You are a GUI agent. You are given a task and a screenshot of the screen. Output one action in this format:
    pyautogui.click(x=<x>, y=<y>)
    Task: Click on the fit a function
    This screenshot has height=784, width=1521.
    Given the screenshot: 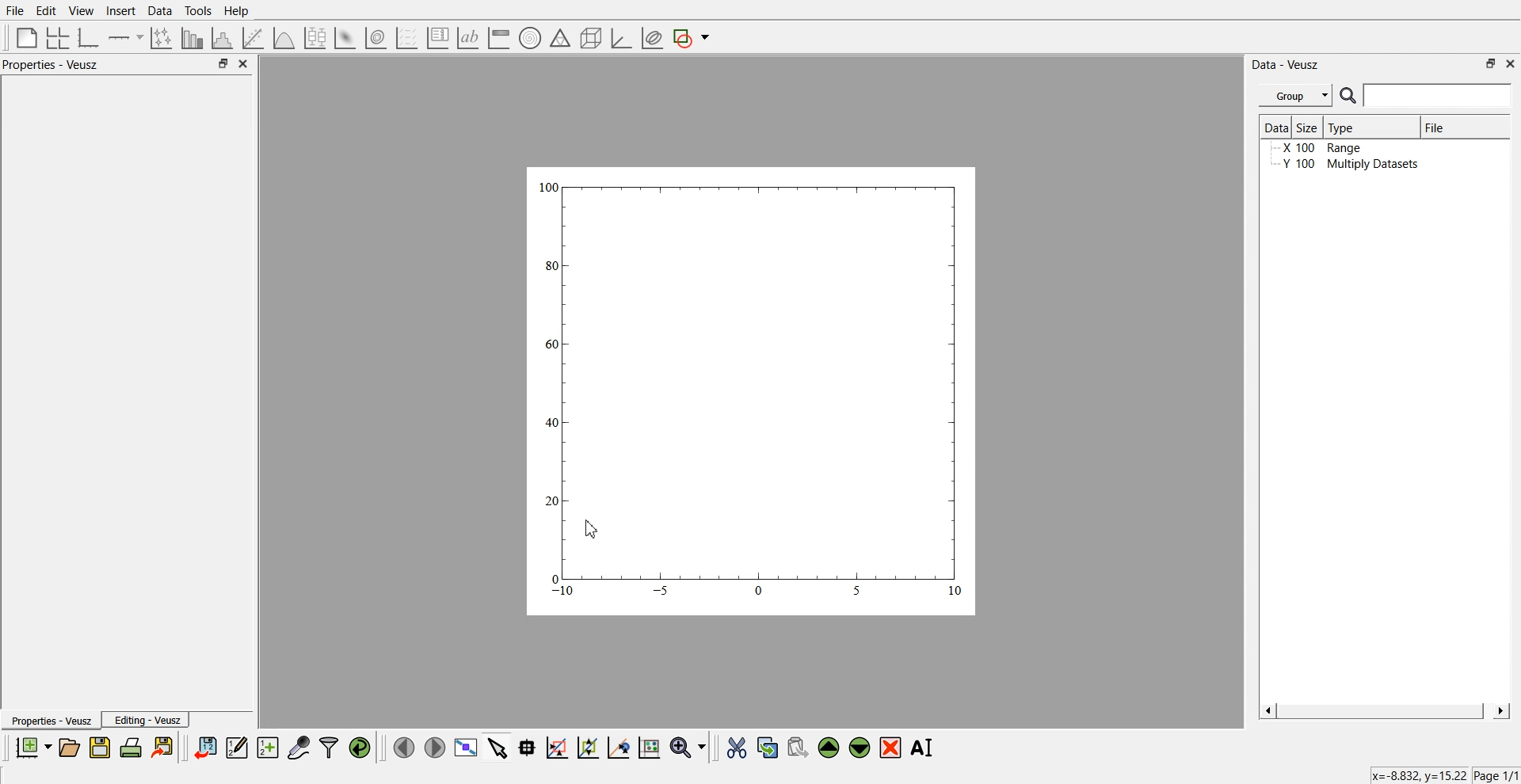 What is the action you would take?
    pyautogui.click(x=254, y=36)
    